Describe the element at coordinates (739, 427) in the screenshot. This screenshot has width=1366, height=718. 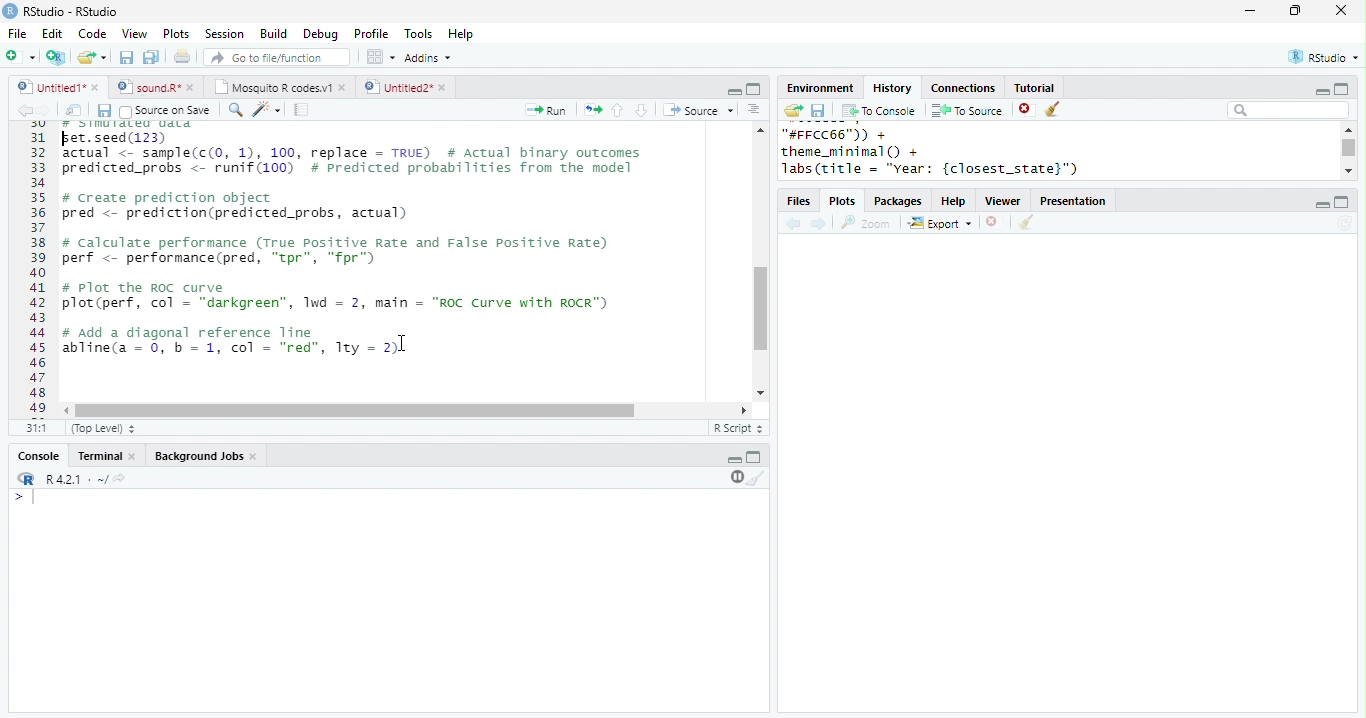
I see `R Script` at that location.